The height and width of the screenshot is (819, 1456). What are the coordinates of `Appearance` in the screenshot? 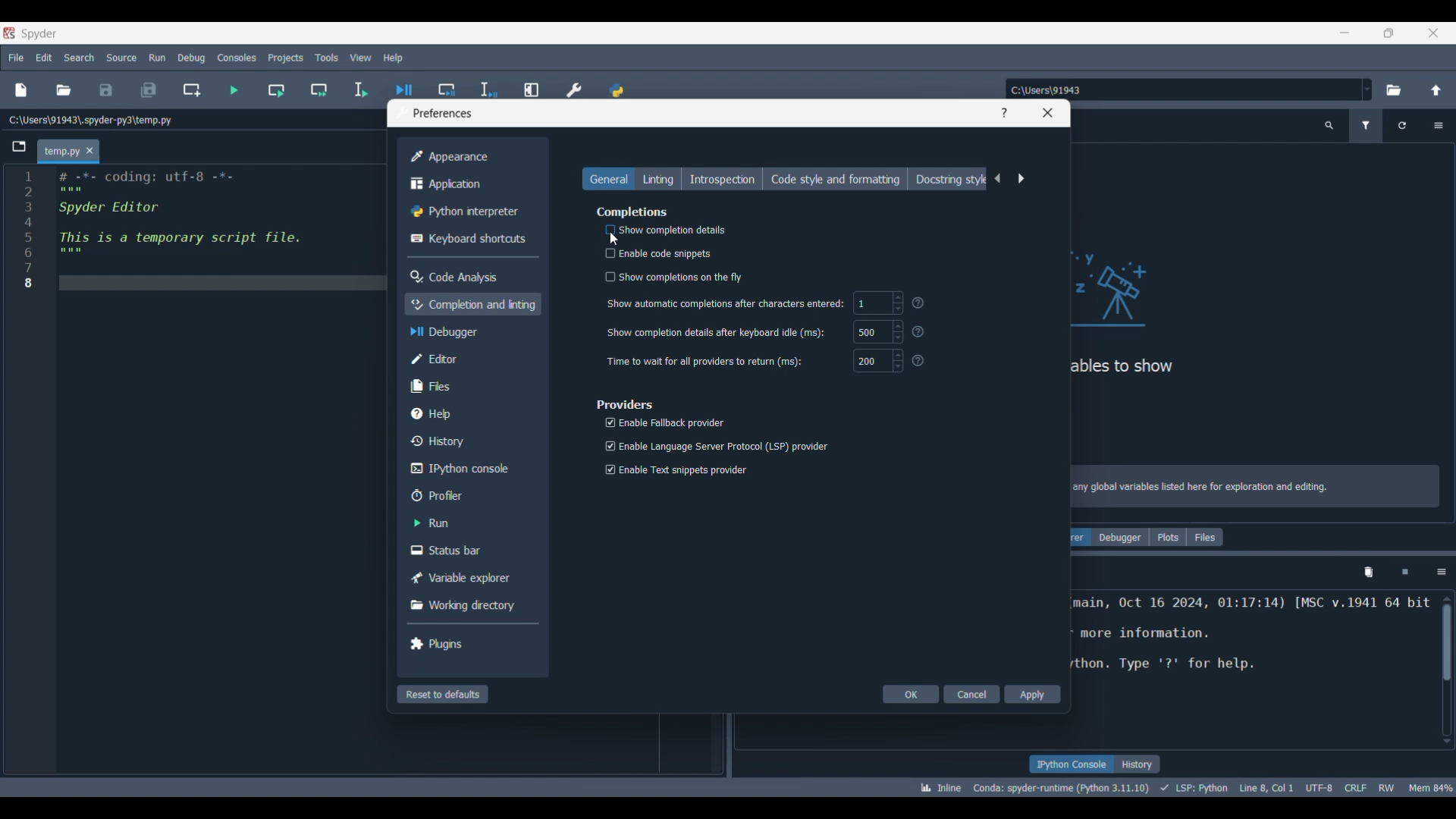 It's located at (469, 157).